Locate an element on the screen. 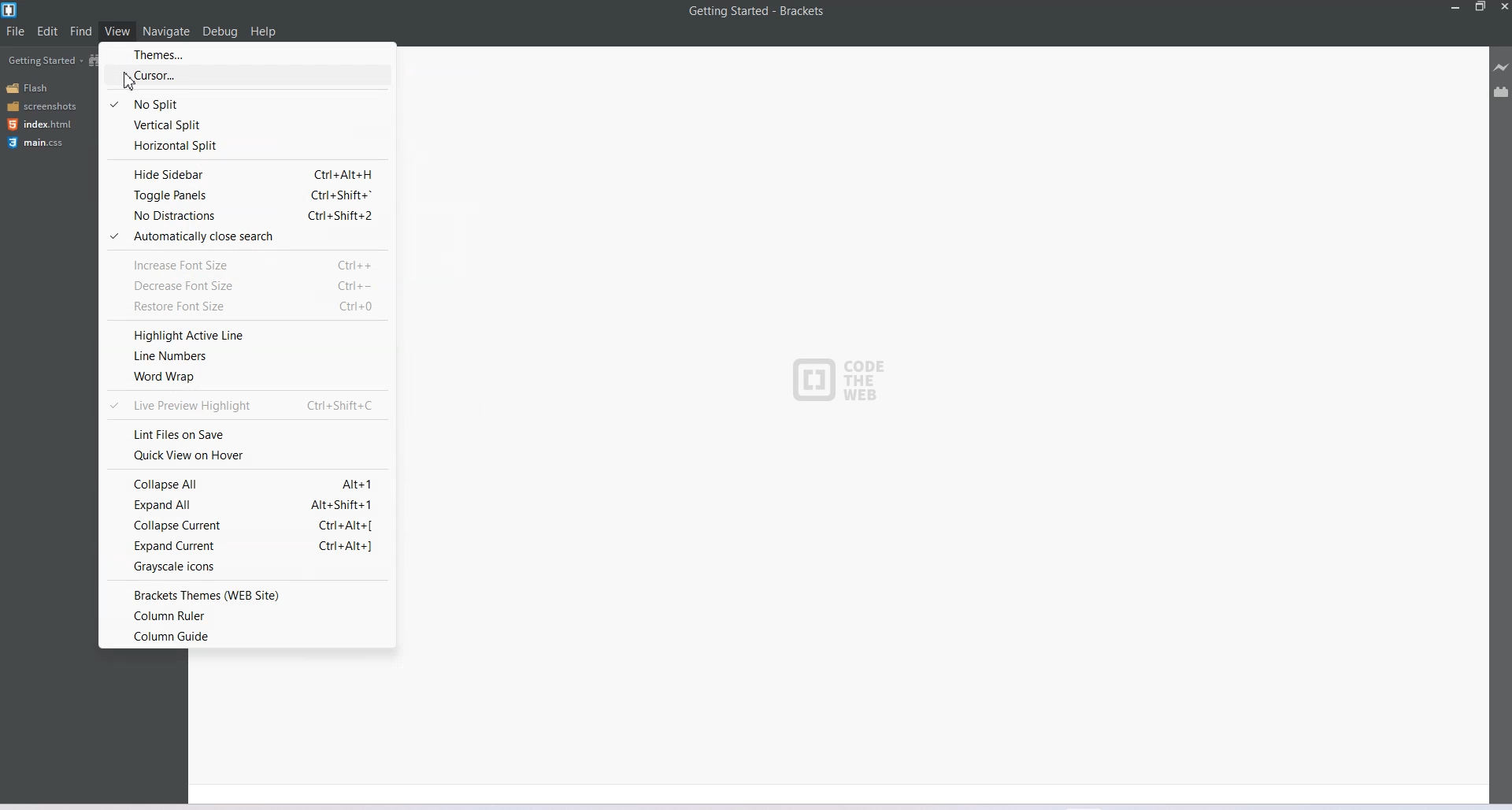 Image resolution: width=1512 pixels, height=810 pixels. decrease font size is located at coordinates (244, 285).